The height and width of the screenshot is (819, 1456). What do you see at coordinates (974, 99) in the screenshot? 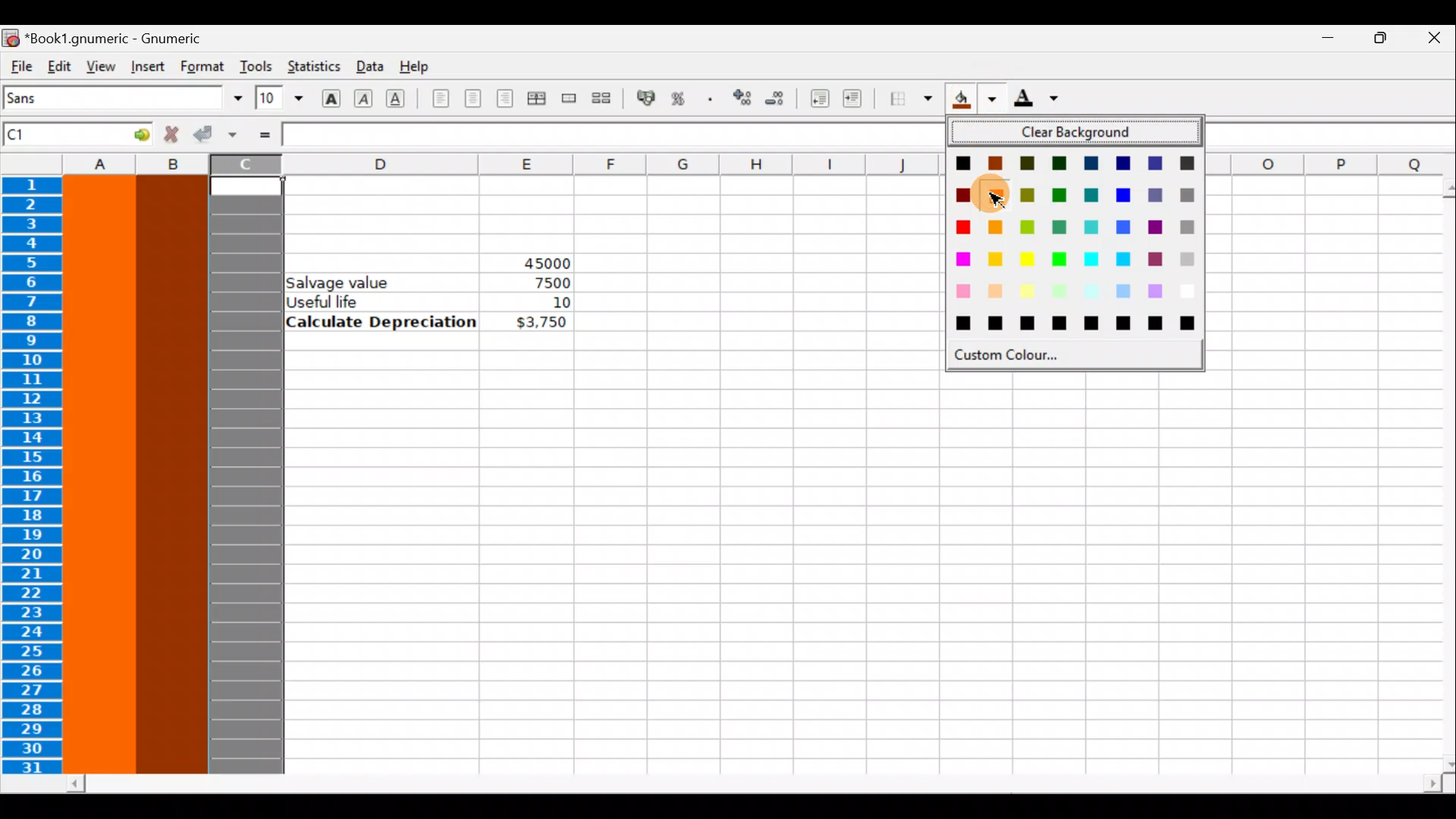
I see `Background` at bounding box center [974, 99].